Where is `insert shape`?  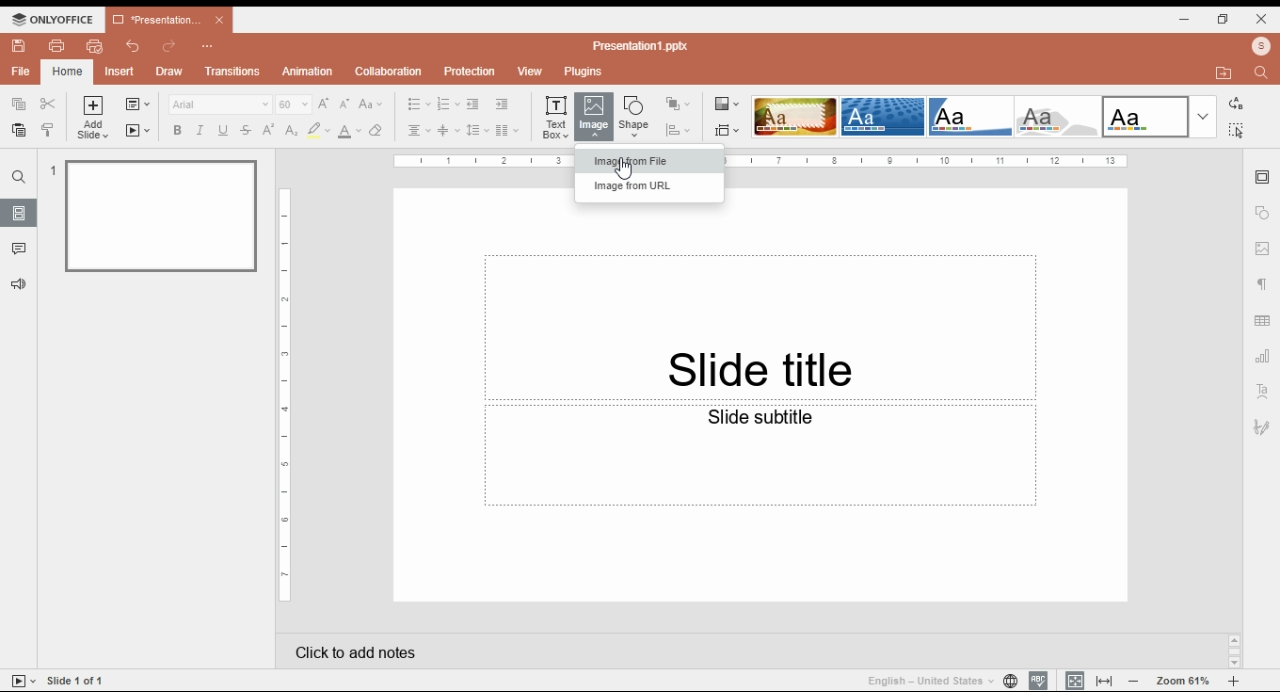 insert shape is located at coordinates (637, 114).